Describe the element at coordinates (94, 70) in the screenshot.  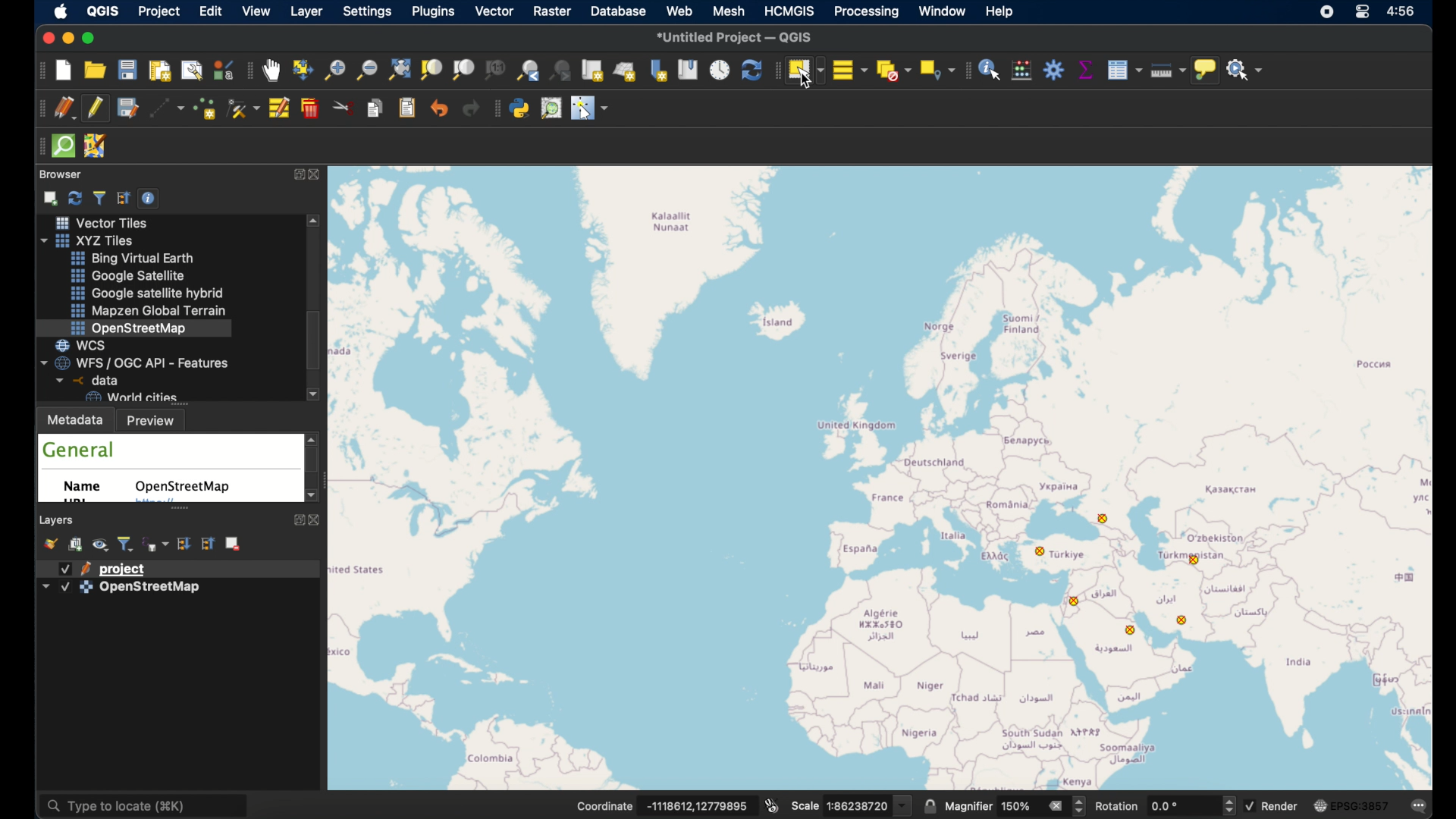
I see `open project` at that location.